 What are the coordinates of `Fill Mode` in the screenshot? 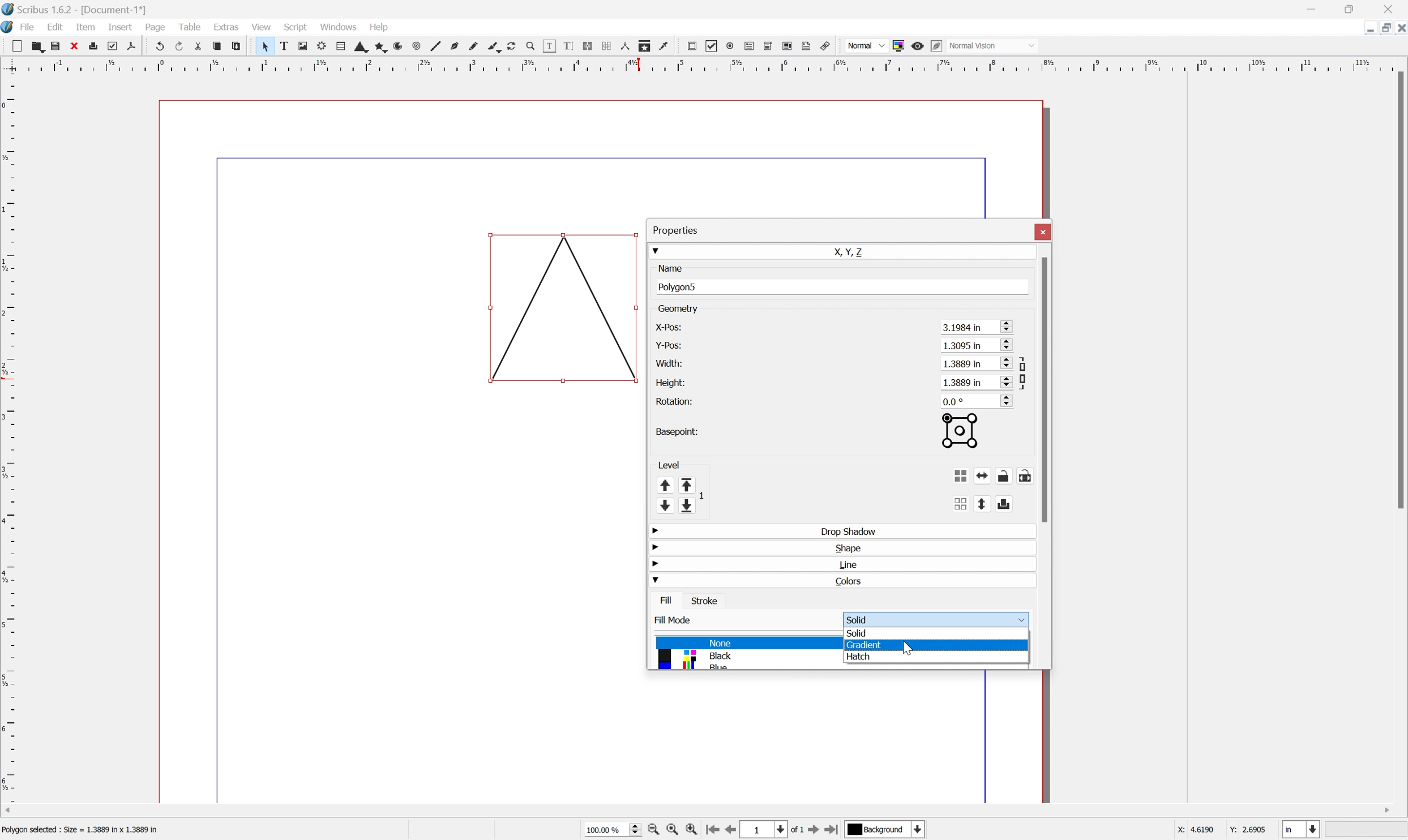 It's located at (676, 620).